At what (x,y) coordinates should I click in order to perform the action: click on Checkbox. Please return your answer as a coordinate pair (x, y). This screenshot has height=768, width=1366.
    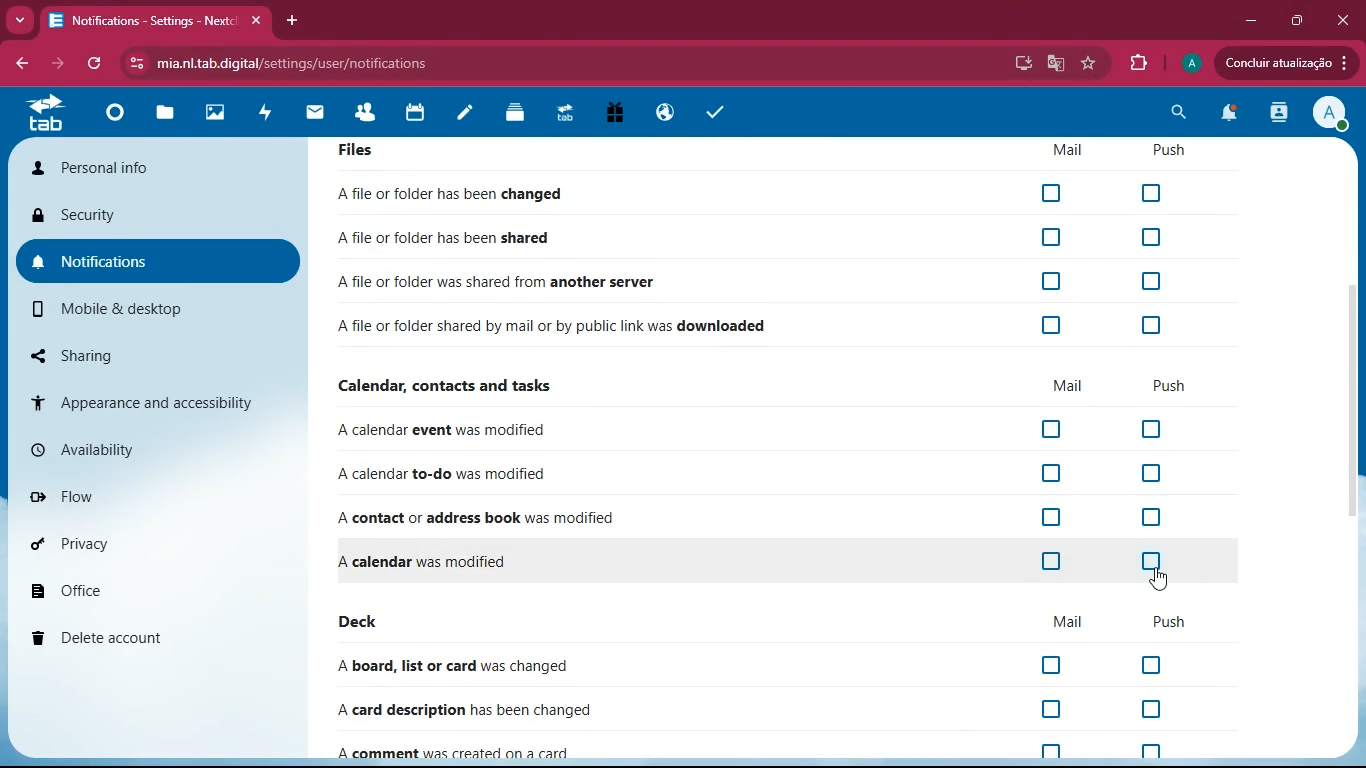
    Looking at the image, I should click on (1055, 282).